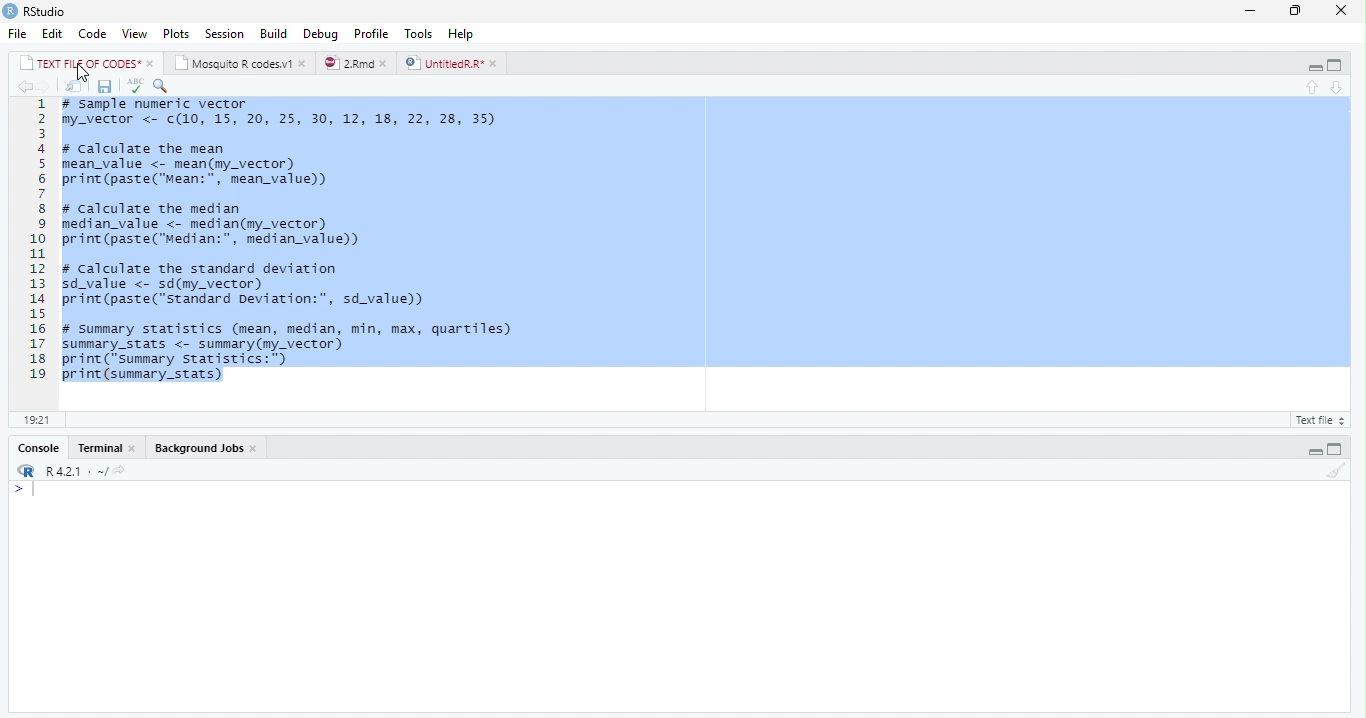 The image size is (1366, 718). Describe the element at coordinates (47, 12) in the screenshot. I see `RStudio` at that location.